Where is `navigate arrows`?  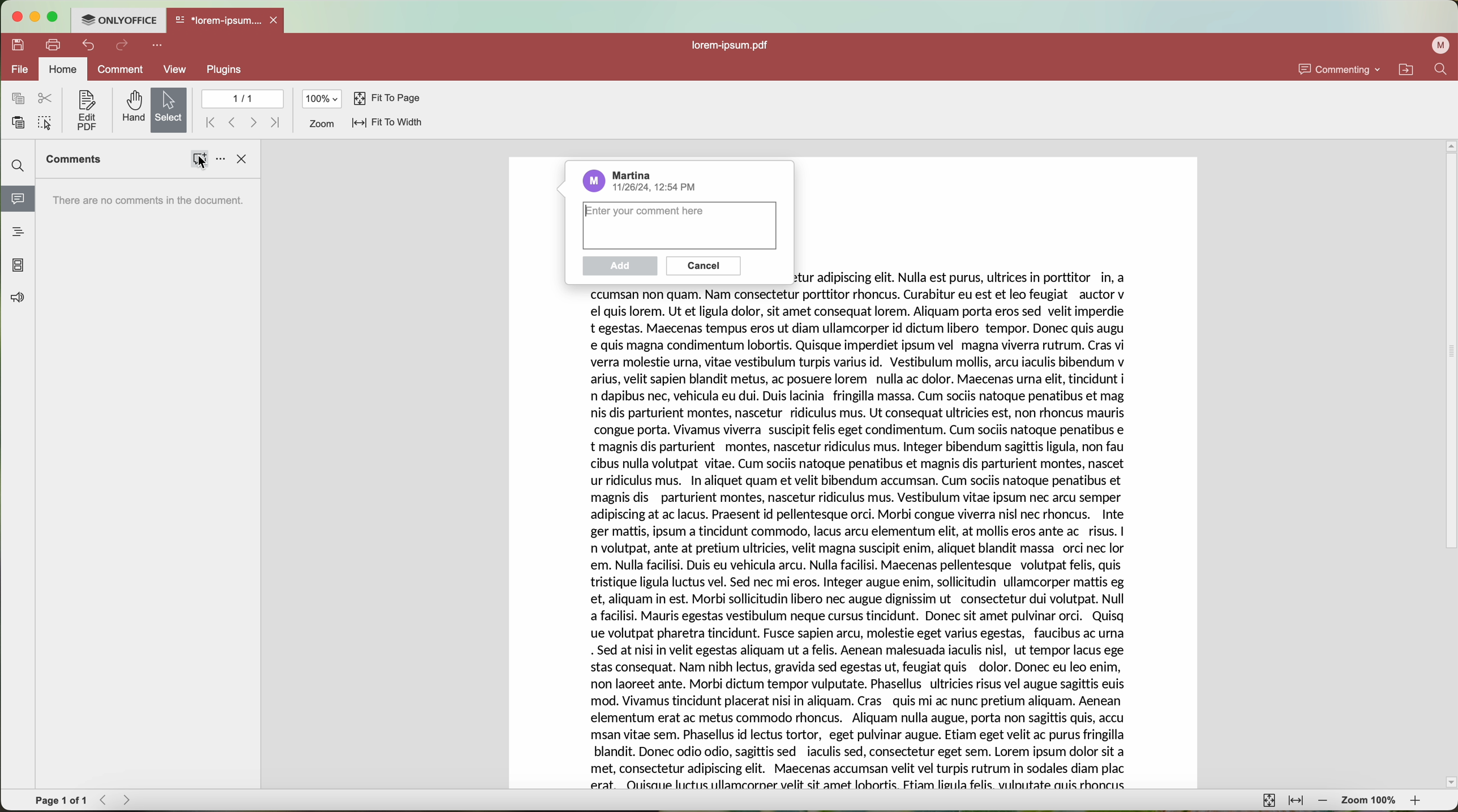
navigate arrows is located at coordinates (117, 801).